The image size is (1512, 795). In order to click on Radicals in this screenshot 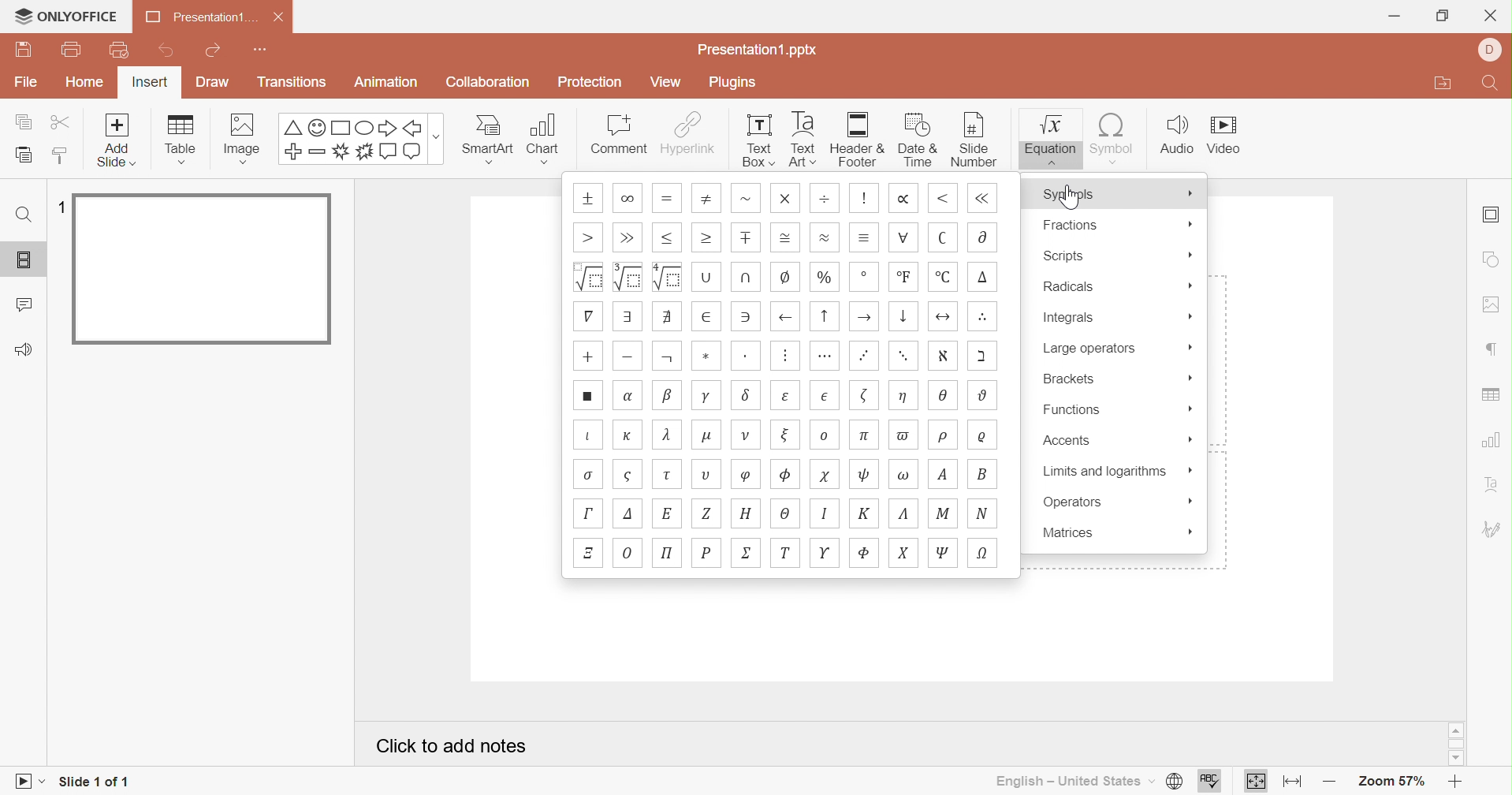, I will do `click(1118, 285)`.